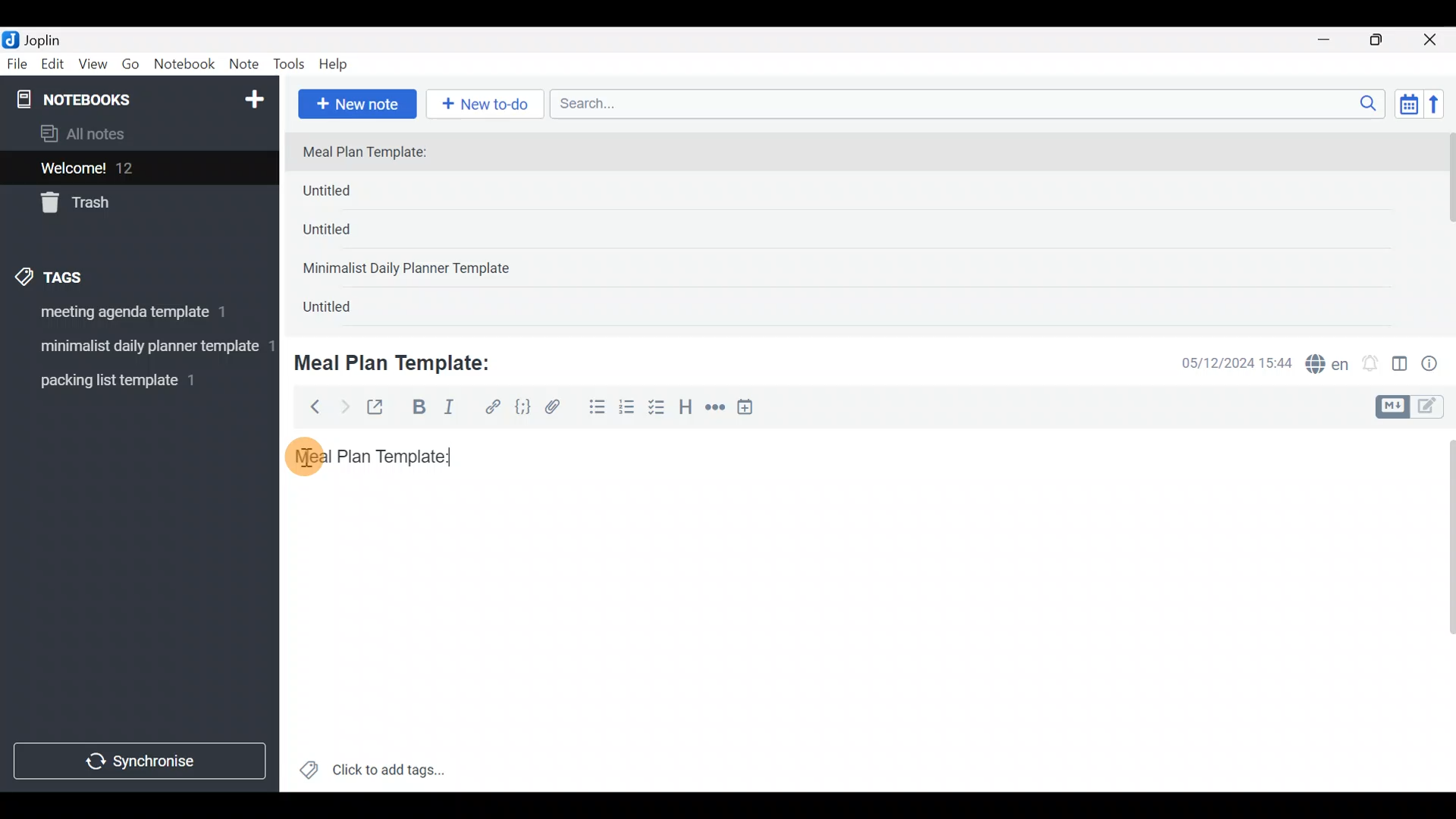 Image resolution: width=1456 pixels, height=819 pixels. Describe the element at coordinates (1447, 229) in the screenshot. I see `Scroll bar` at that location.